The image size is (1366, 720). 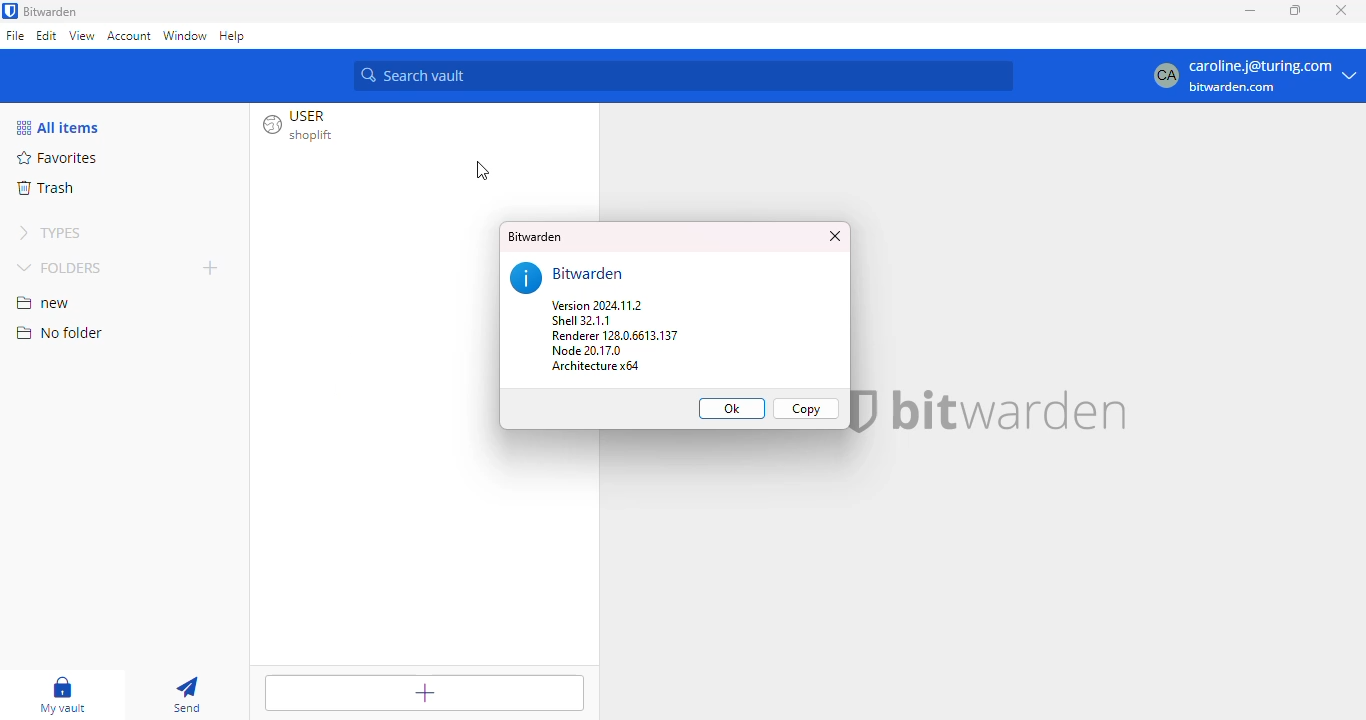 I want to click on view, so click(x=82, y=37).